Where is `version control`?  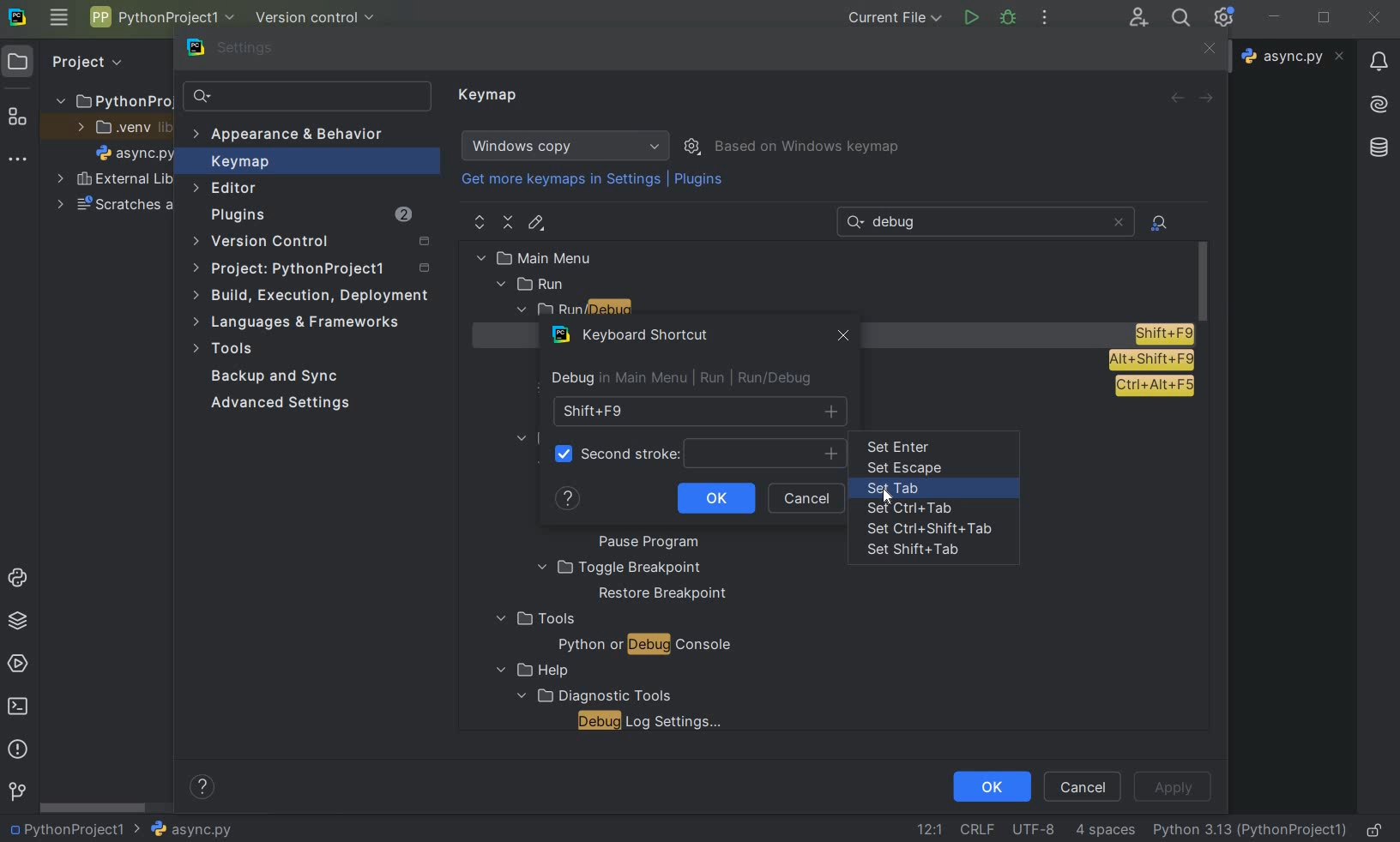 version control is located at coordinates (17, 792).